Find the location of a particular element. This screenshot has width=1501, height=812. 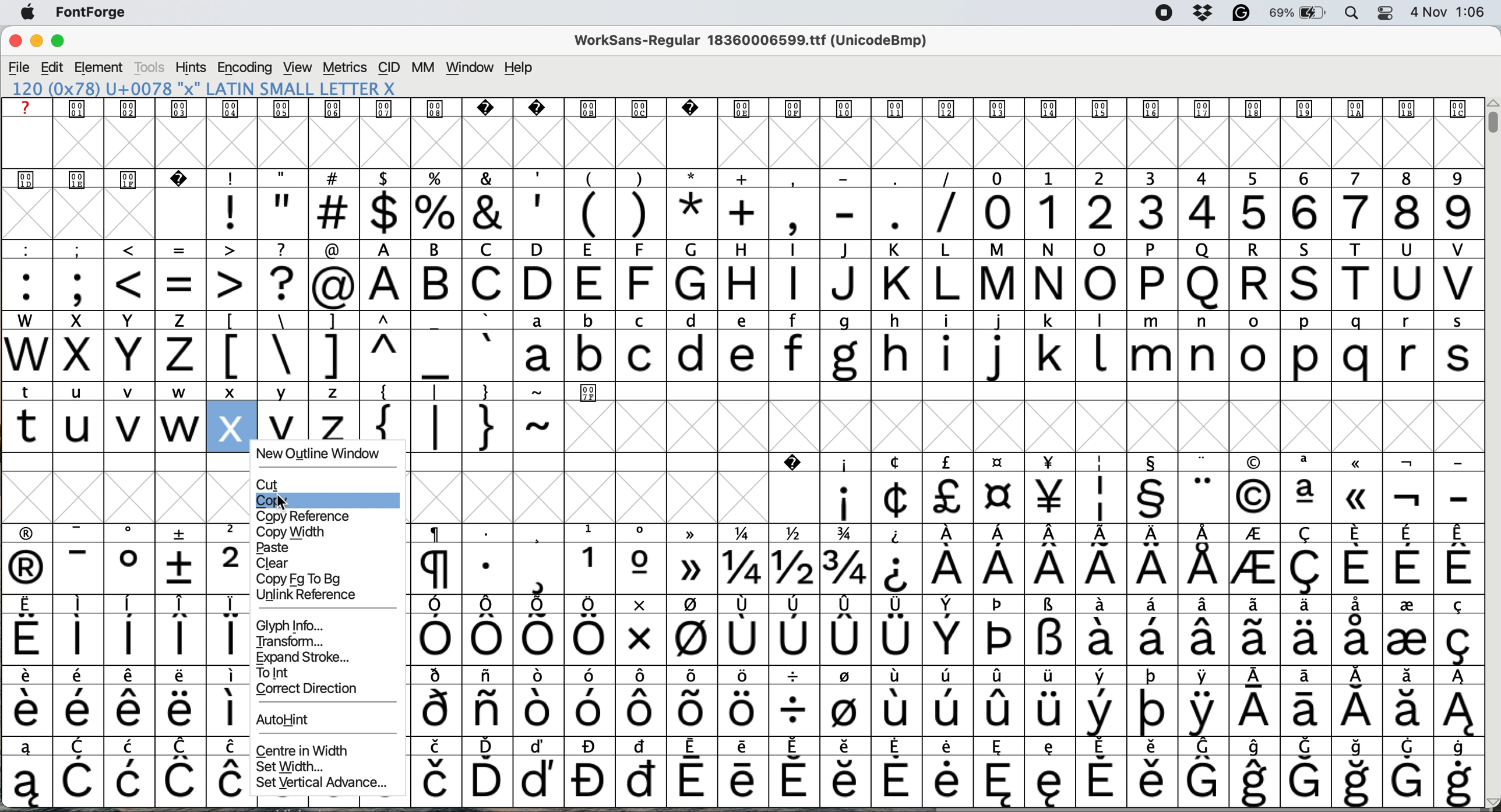

help is located at coordinates (520, 68).